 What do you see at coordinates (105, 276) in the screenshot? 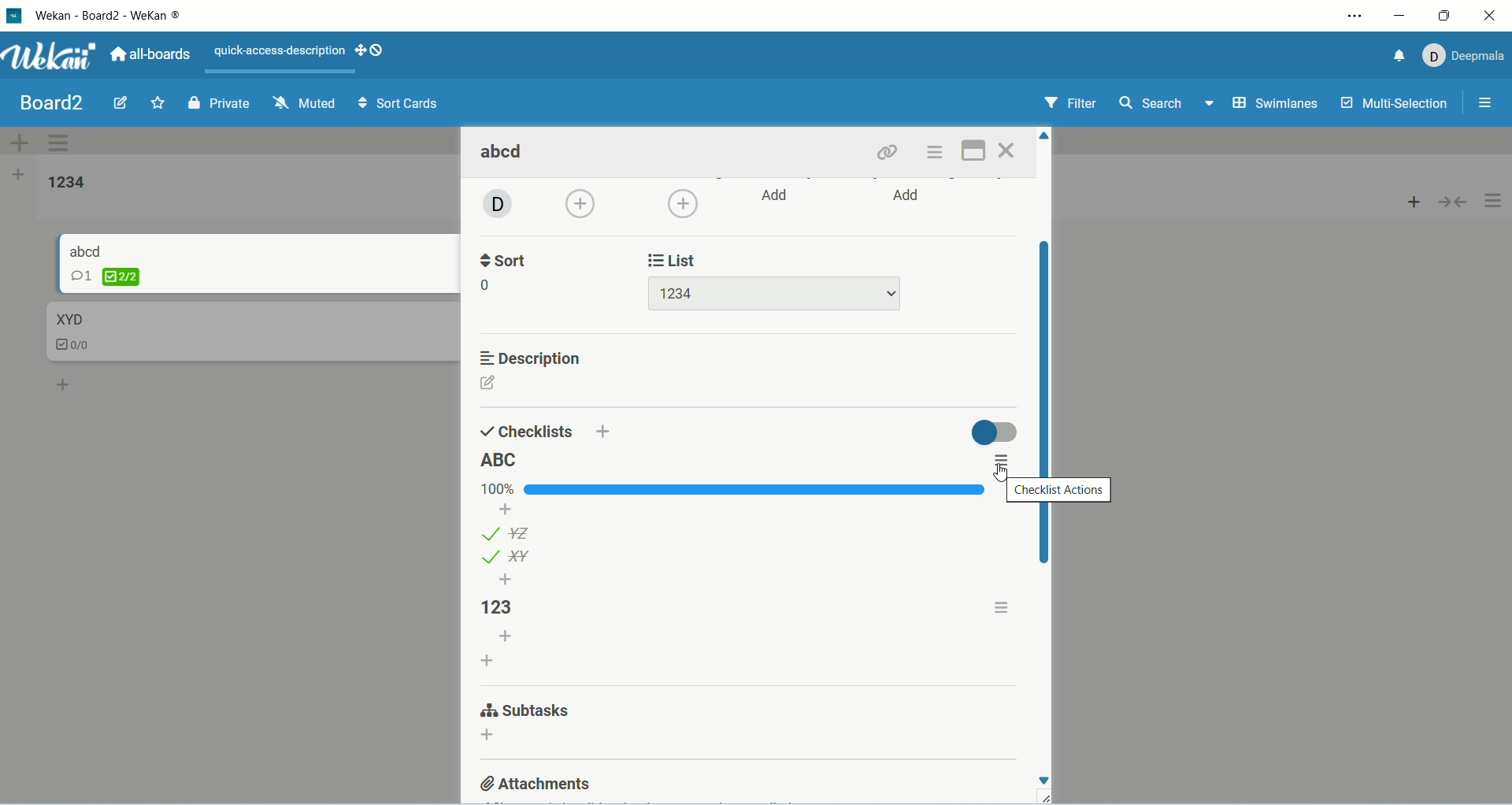
I see `checklist` at bounding box center [105, 276].